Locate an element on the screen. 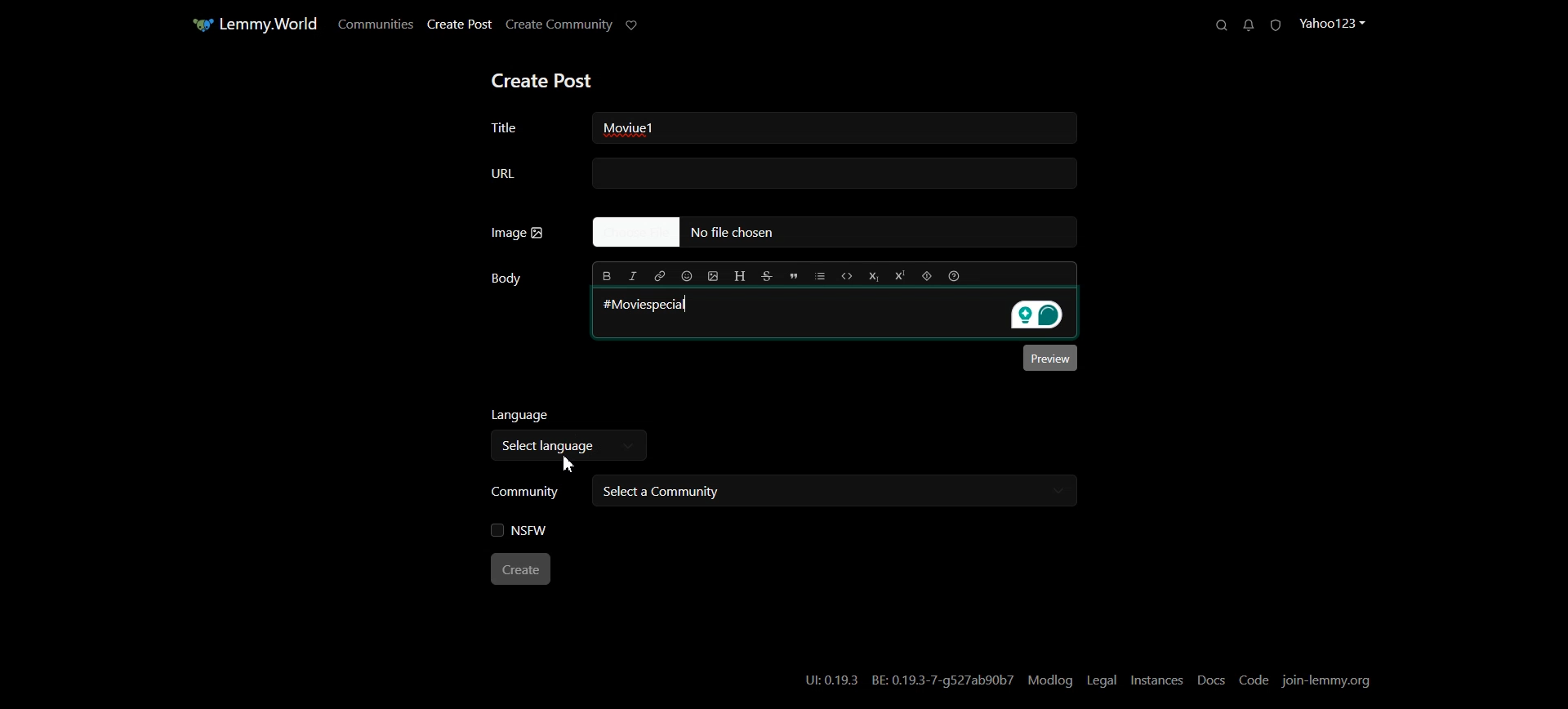 The image size is (1568, 709). Insert Emoji is located at coordinates (688, 276).